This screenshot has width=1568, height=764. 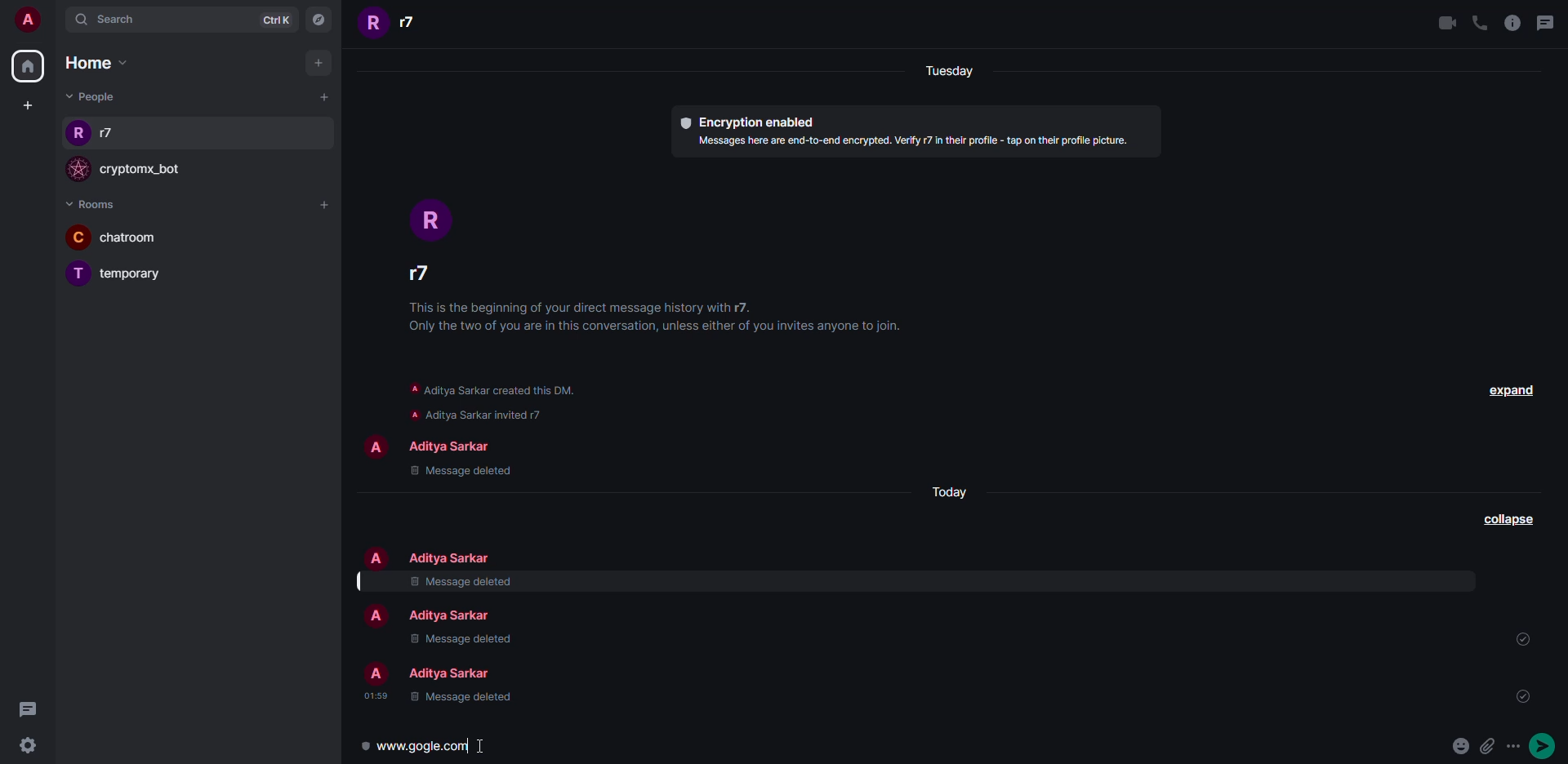 What do you see at coordinates (78, 170) in the screenshot?
I see `profile` at bounding box center [78, 170].